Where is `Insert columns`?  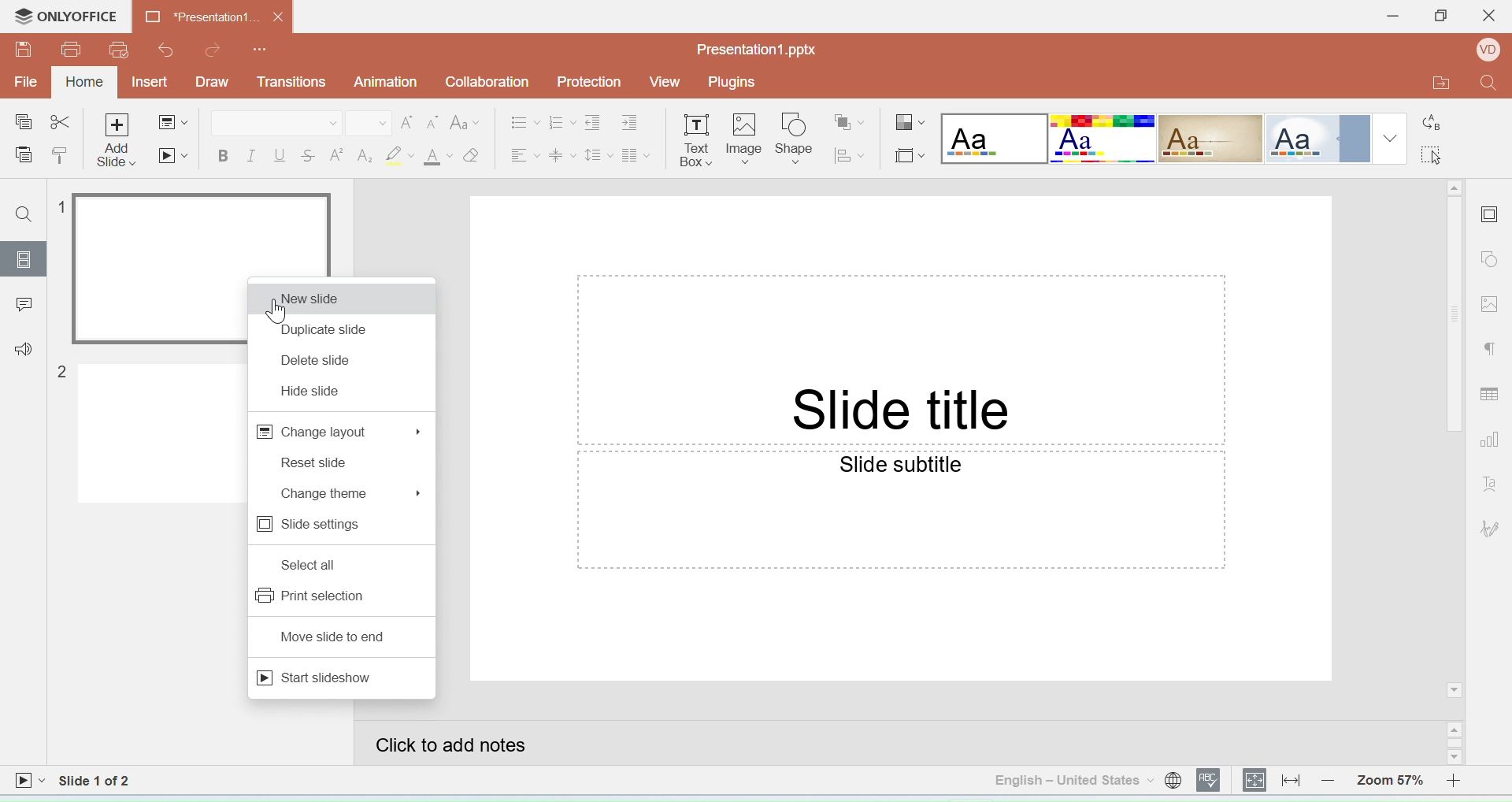
Insert columns is located at coordinates (636, 153).